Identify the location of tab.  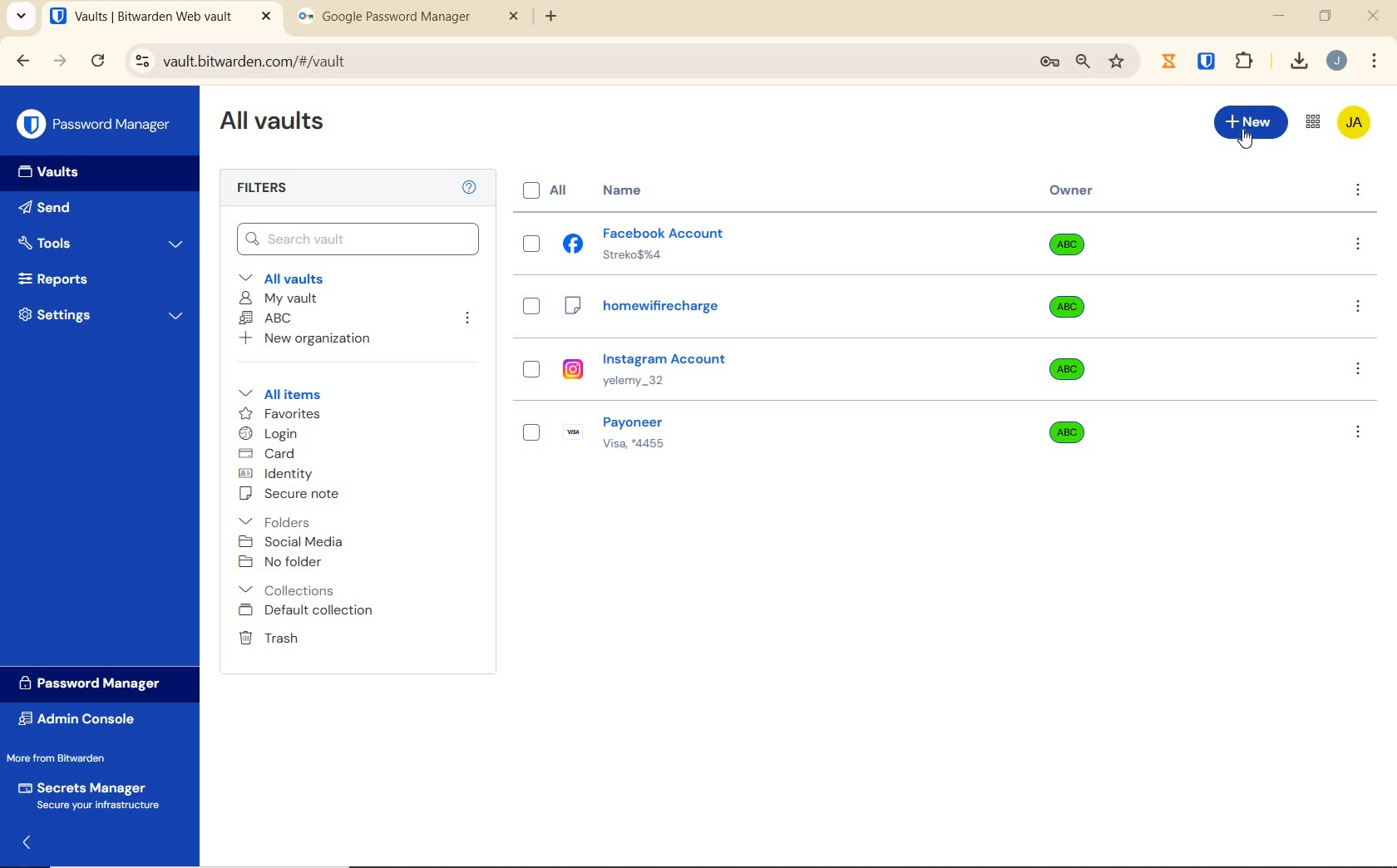
(408, 20).